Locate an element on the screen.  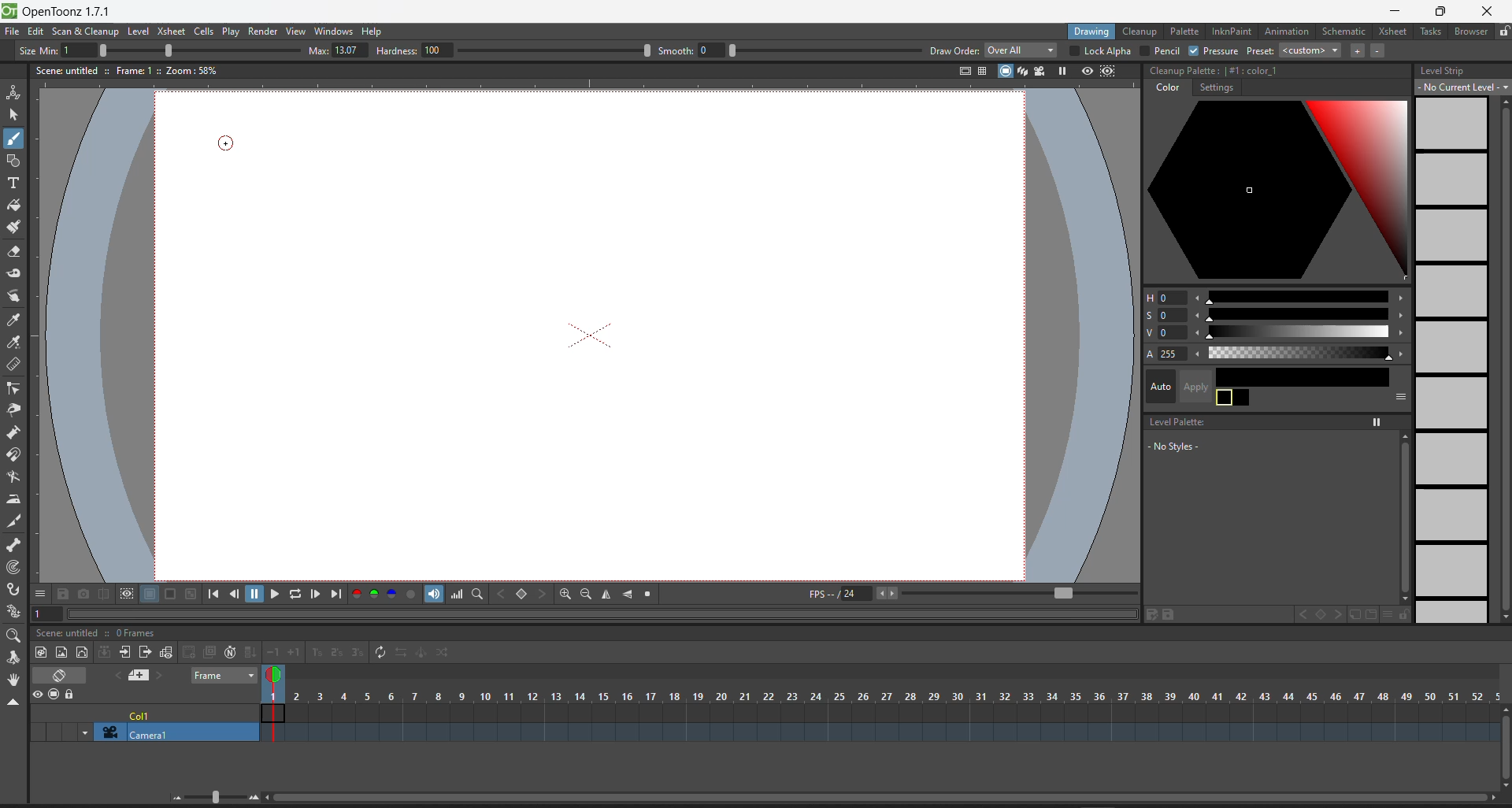
add new memo is located at coordinates (137, 676).